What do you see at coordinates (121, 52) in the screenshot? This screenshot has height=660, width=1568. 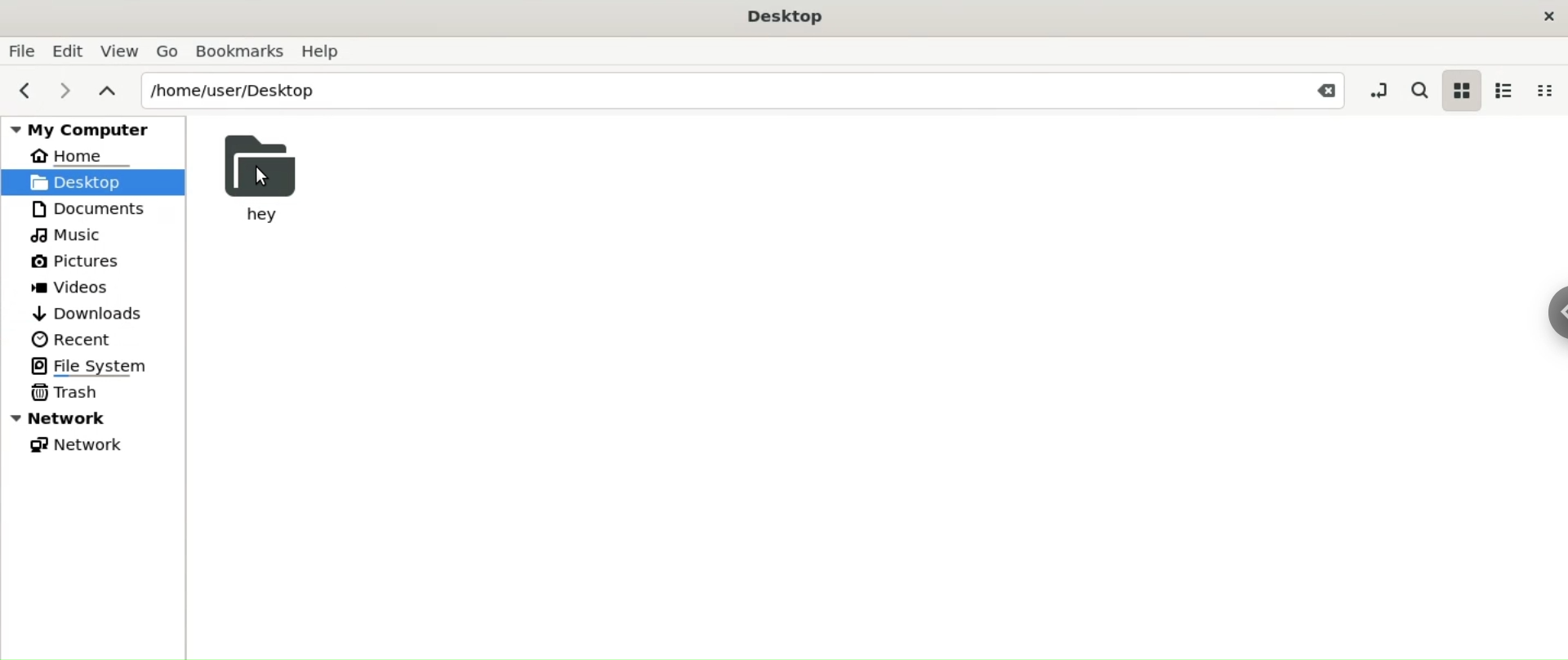 I see `View` at bounding box center [121, 52].